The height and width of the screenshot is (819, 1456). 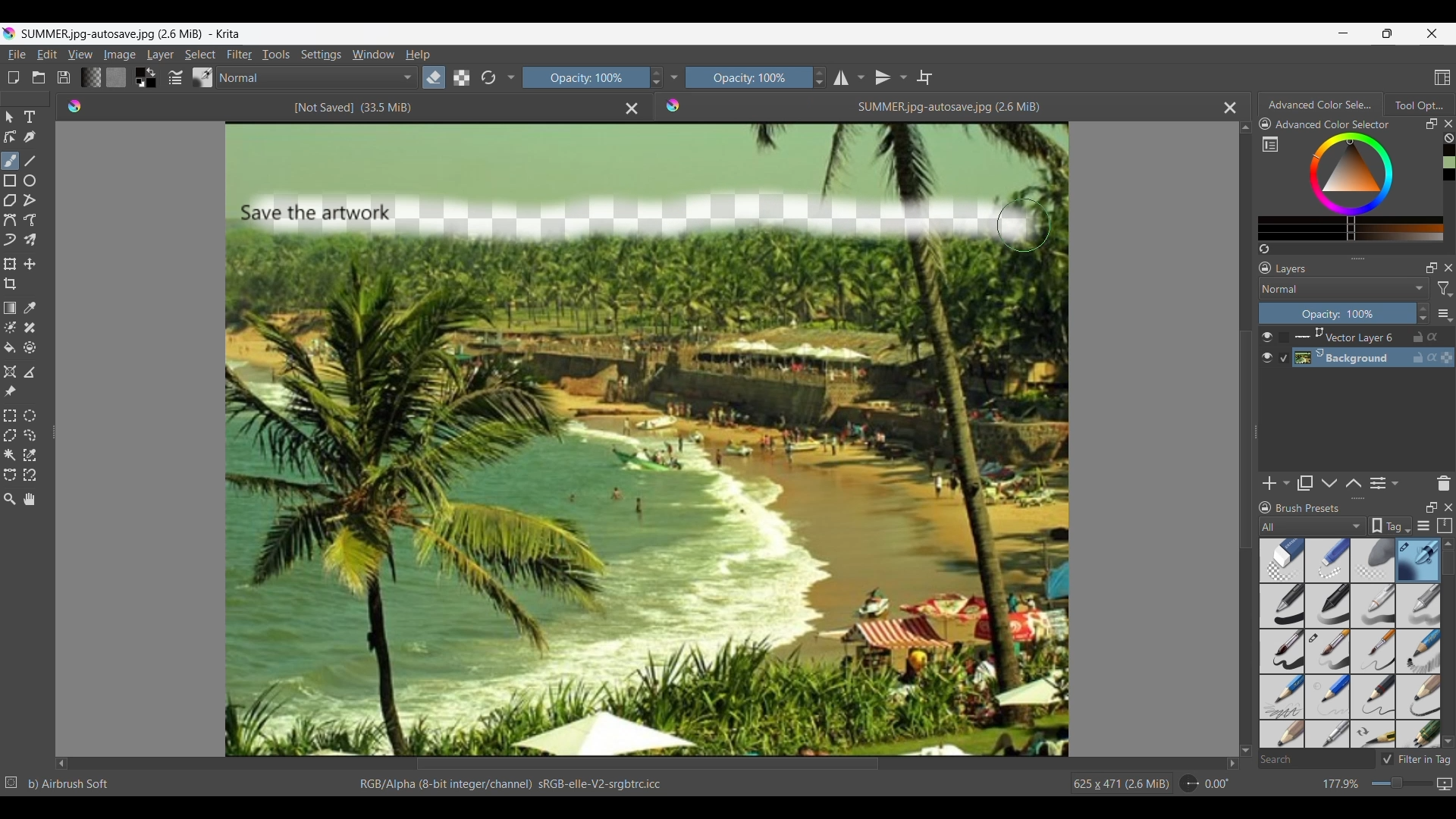 I want to click on SUMMER.jpg-autosave.jpg (2.6 MiB), so click(x=948, y=107).